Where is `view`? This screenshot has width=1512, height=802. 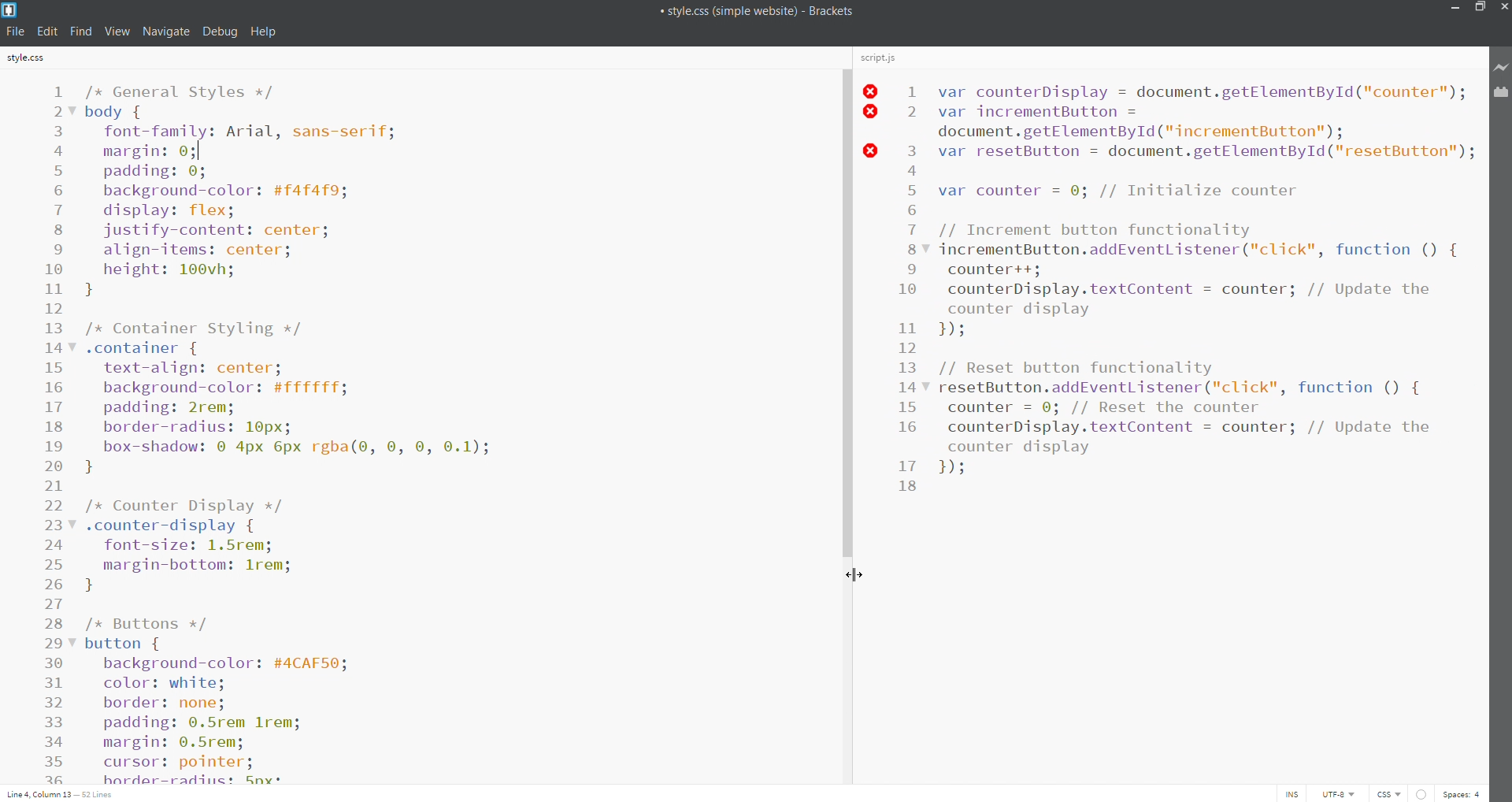 view is located at coordinates (117, 32).